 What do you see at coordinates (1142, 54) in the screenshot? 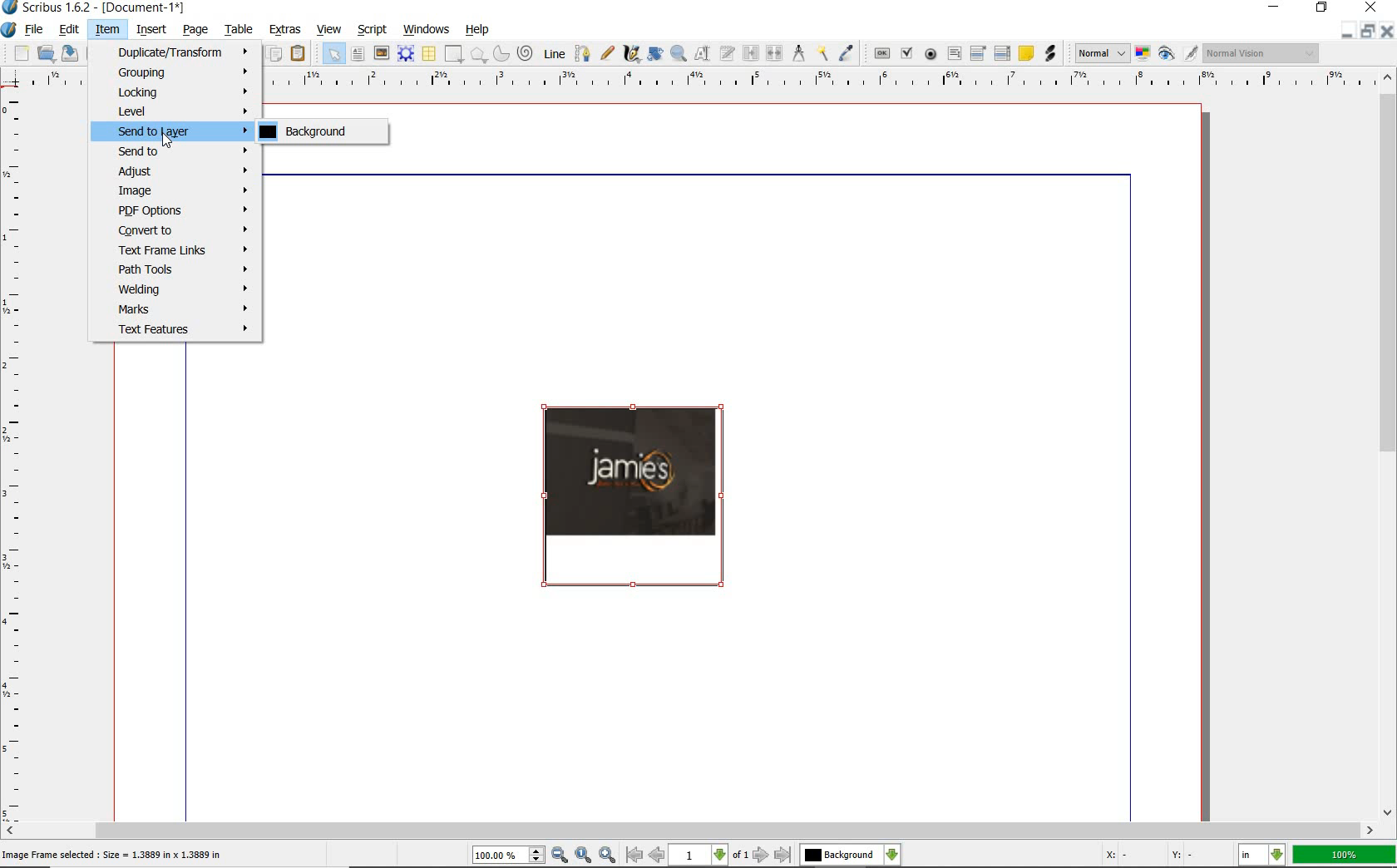
I see `toggle color management` at bounding box center [1142, 54].